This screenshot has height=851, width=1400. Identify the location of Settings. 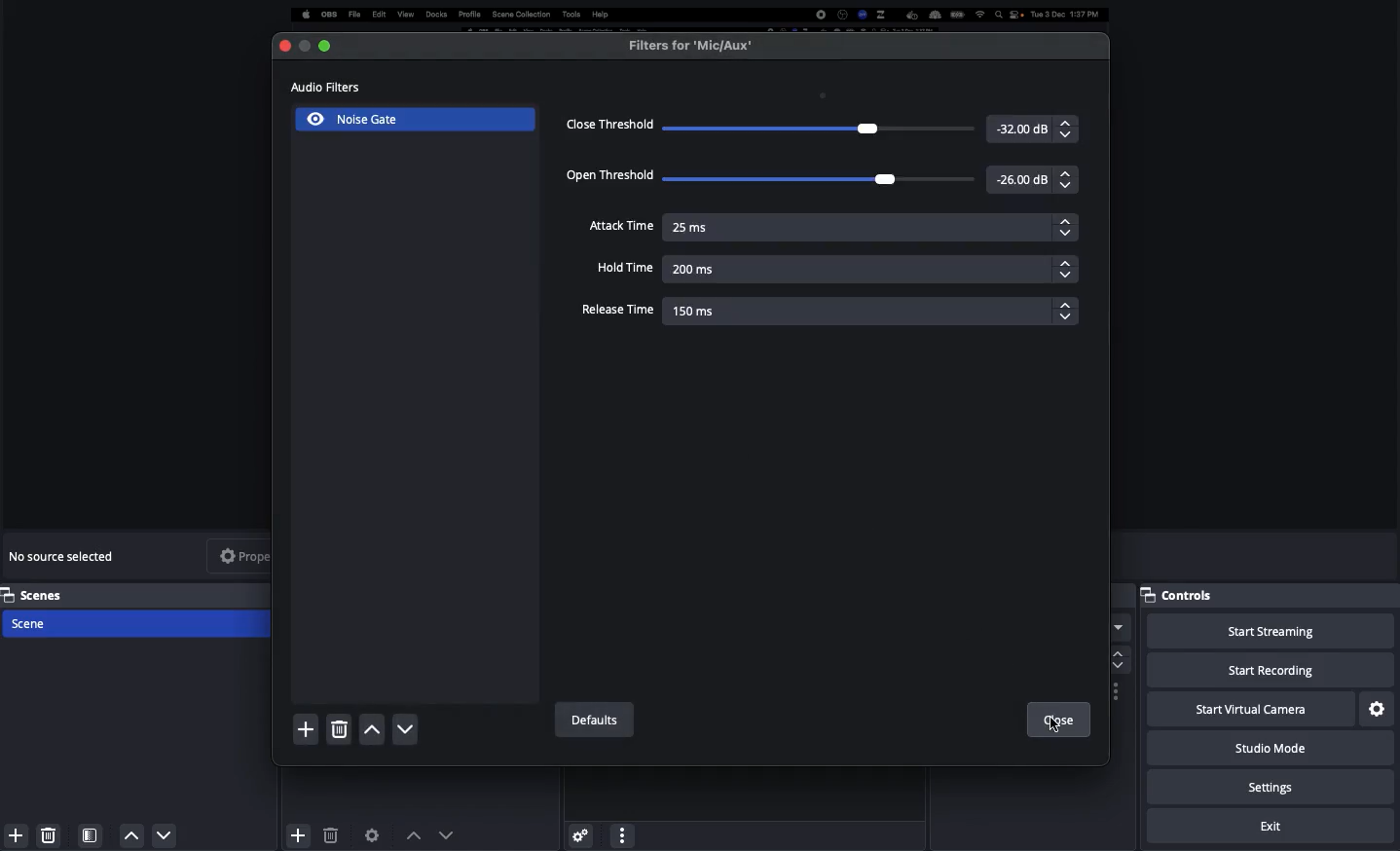
(1273, 788).